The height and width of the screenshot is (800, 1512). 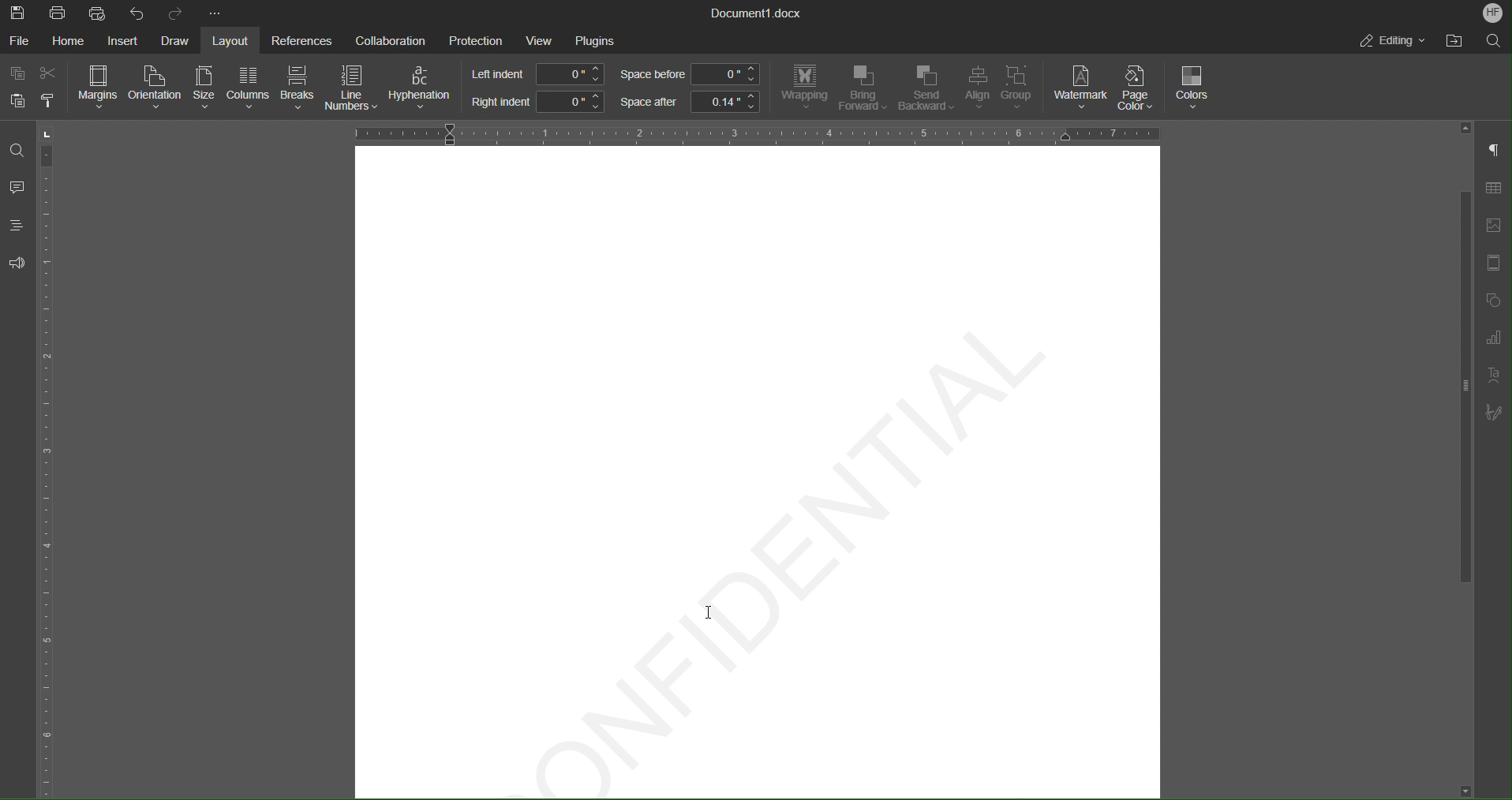 What do you see at coordinates (137, 13) in the screenshot?
I see `Undo` at bounding box center [137, 13].